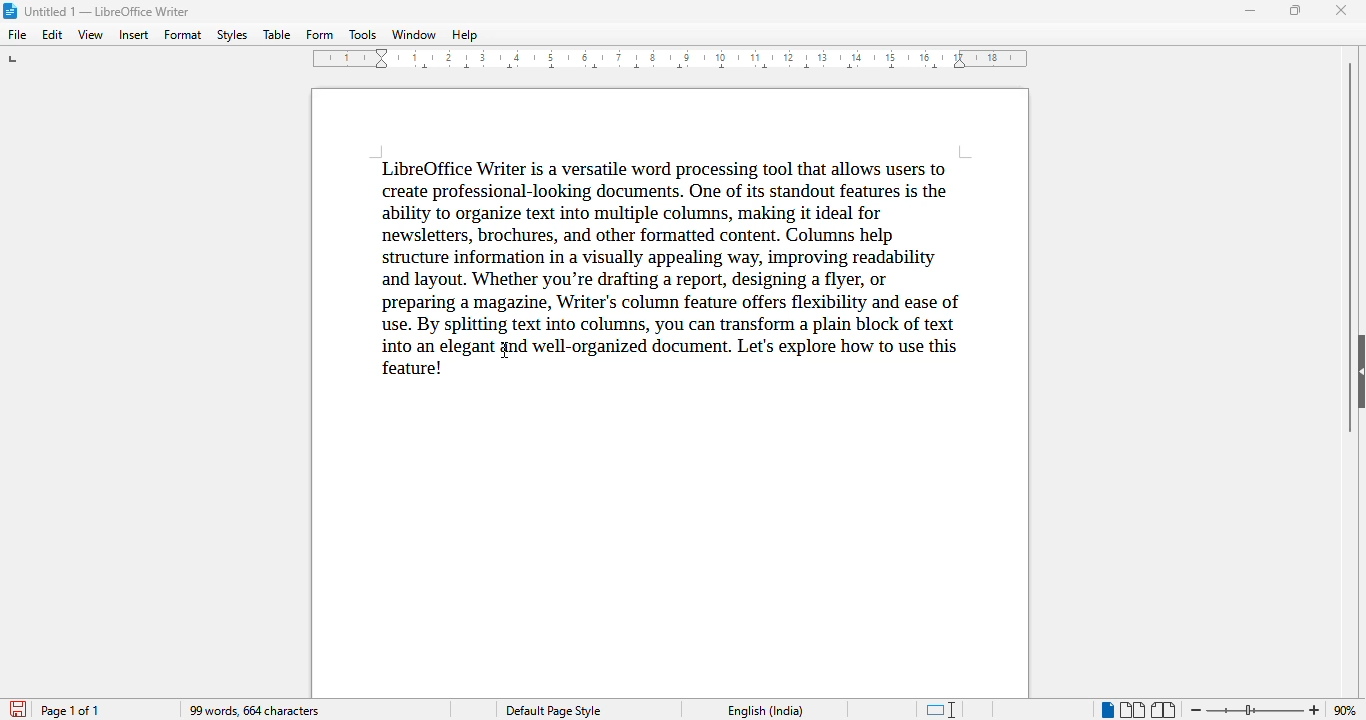 This screenshot has height=720, width=1366. What do you see at coordinates (110, 10) in the screenshot?
I see `Untitled 1 -- LibreOffice Writer` at bounding box center [110, 10].